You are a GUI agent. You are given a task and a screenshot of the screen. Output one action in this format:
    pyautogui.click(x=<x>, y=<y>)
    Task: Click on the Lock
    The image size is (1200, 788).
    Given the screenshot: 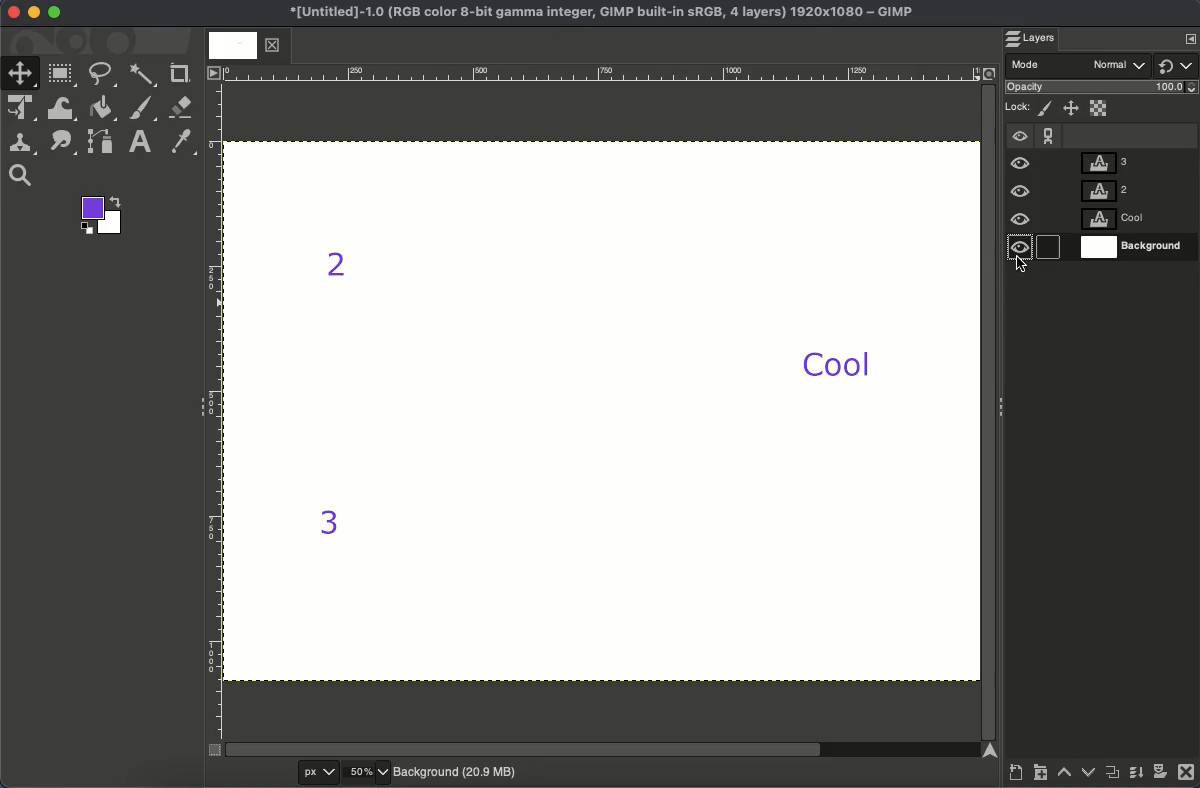 What is the action you would take?
    pyautogui.click(x=1019, y=105)
    